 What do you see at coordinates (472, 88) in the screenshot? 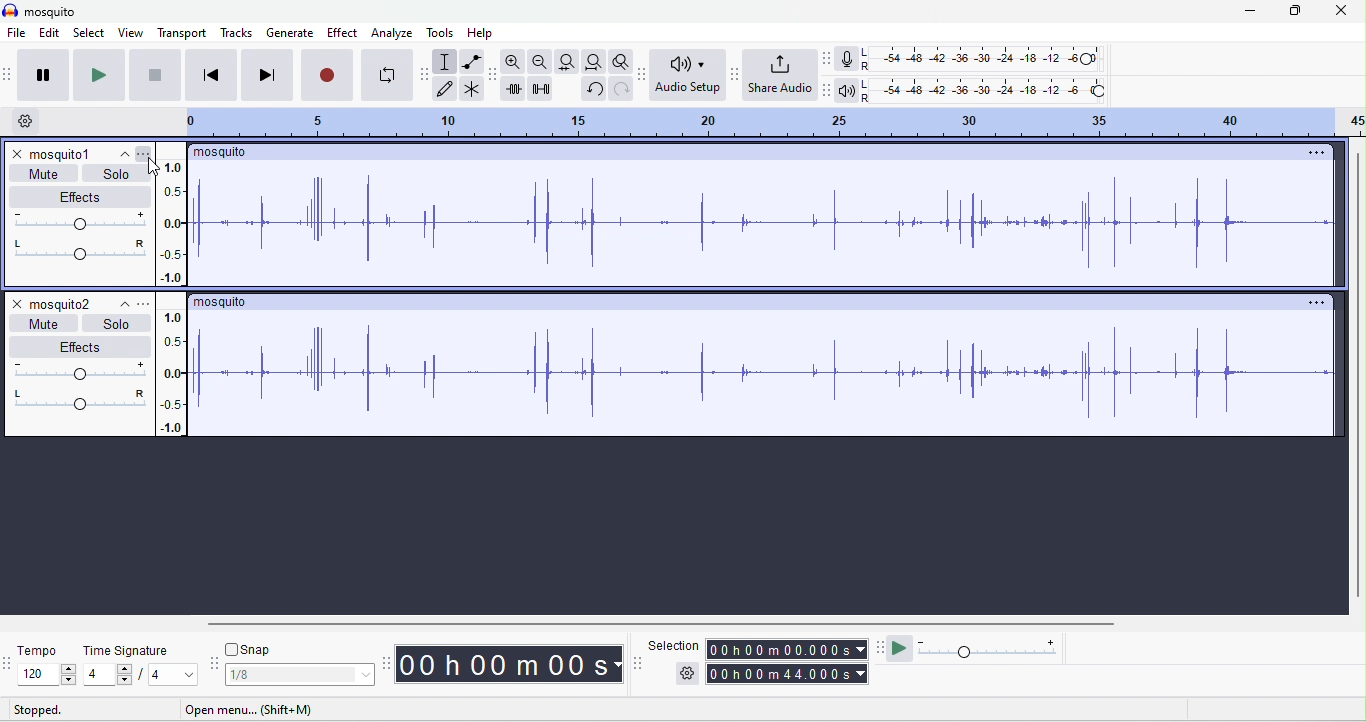
I see `multi` at bounding box center [472, 88].